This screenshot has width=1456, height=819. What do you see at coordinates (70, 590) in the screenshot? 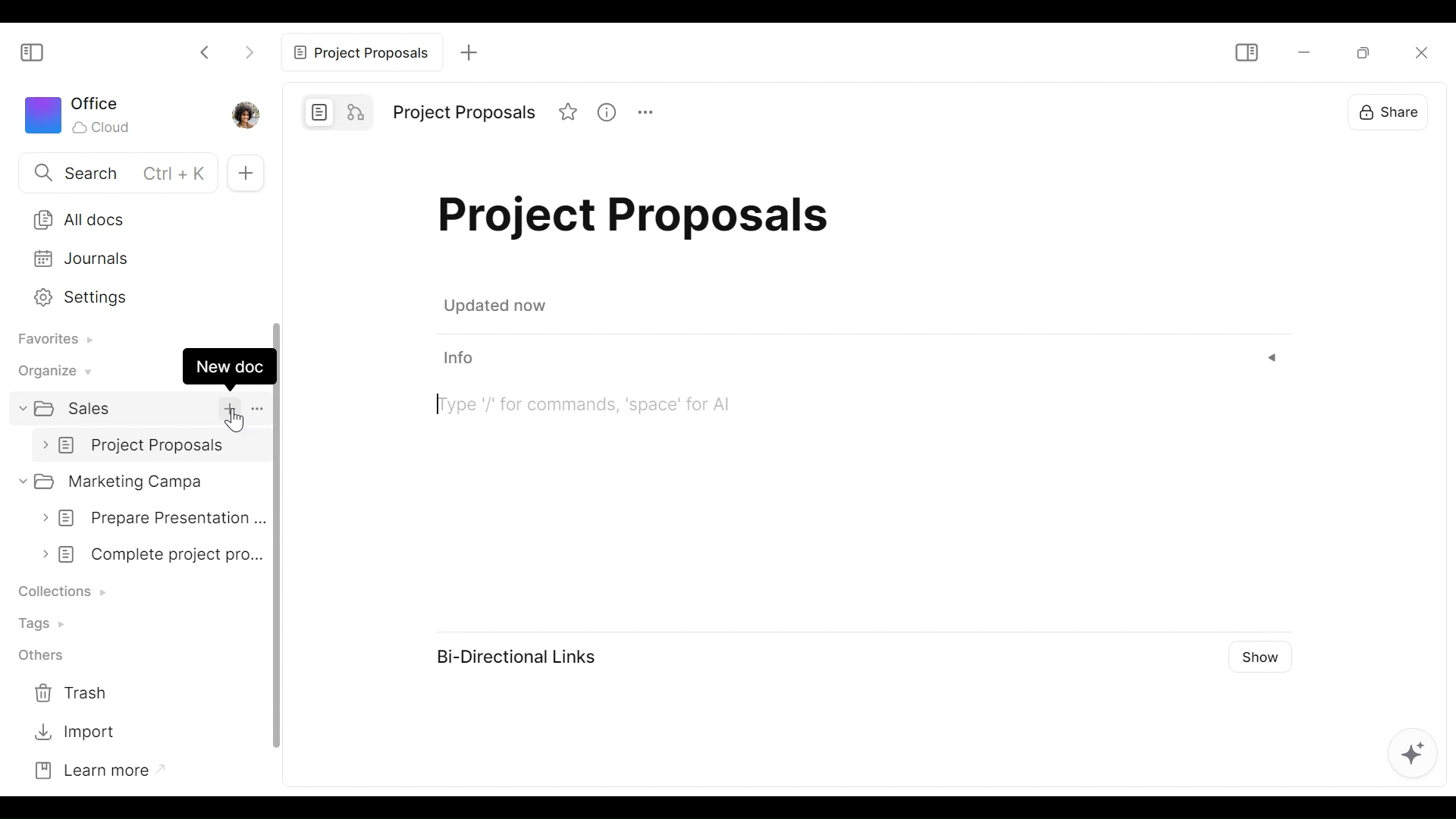
I see `Collection` at bounding box center [70, 590].